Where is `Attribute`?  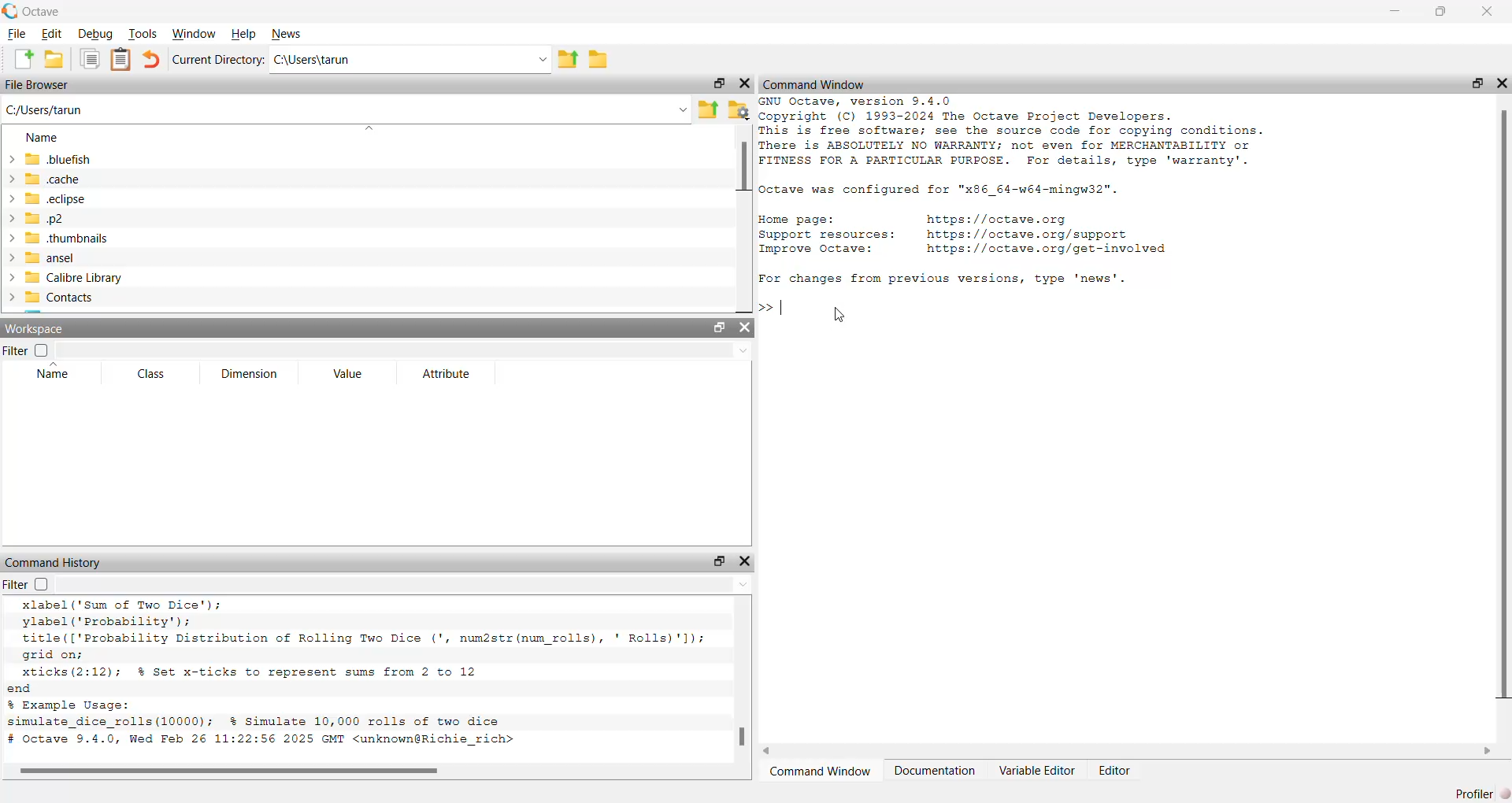
Attribute is located at coordinates (446, 374).